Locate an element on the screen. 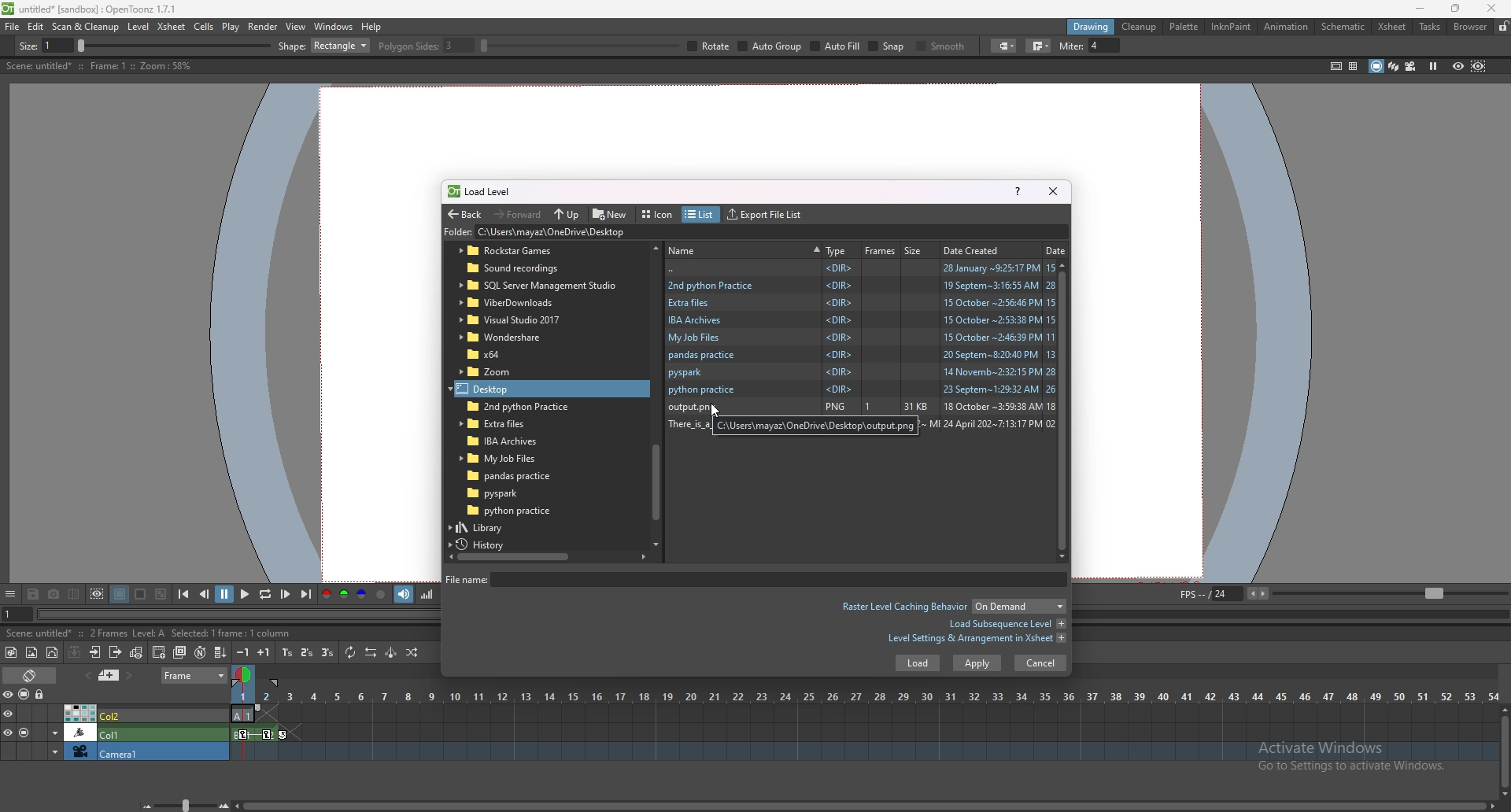 Image resolution: width=1511 pixels, height=812 pixels. rotate bar is located at coordinates (896, 46).